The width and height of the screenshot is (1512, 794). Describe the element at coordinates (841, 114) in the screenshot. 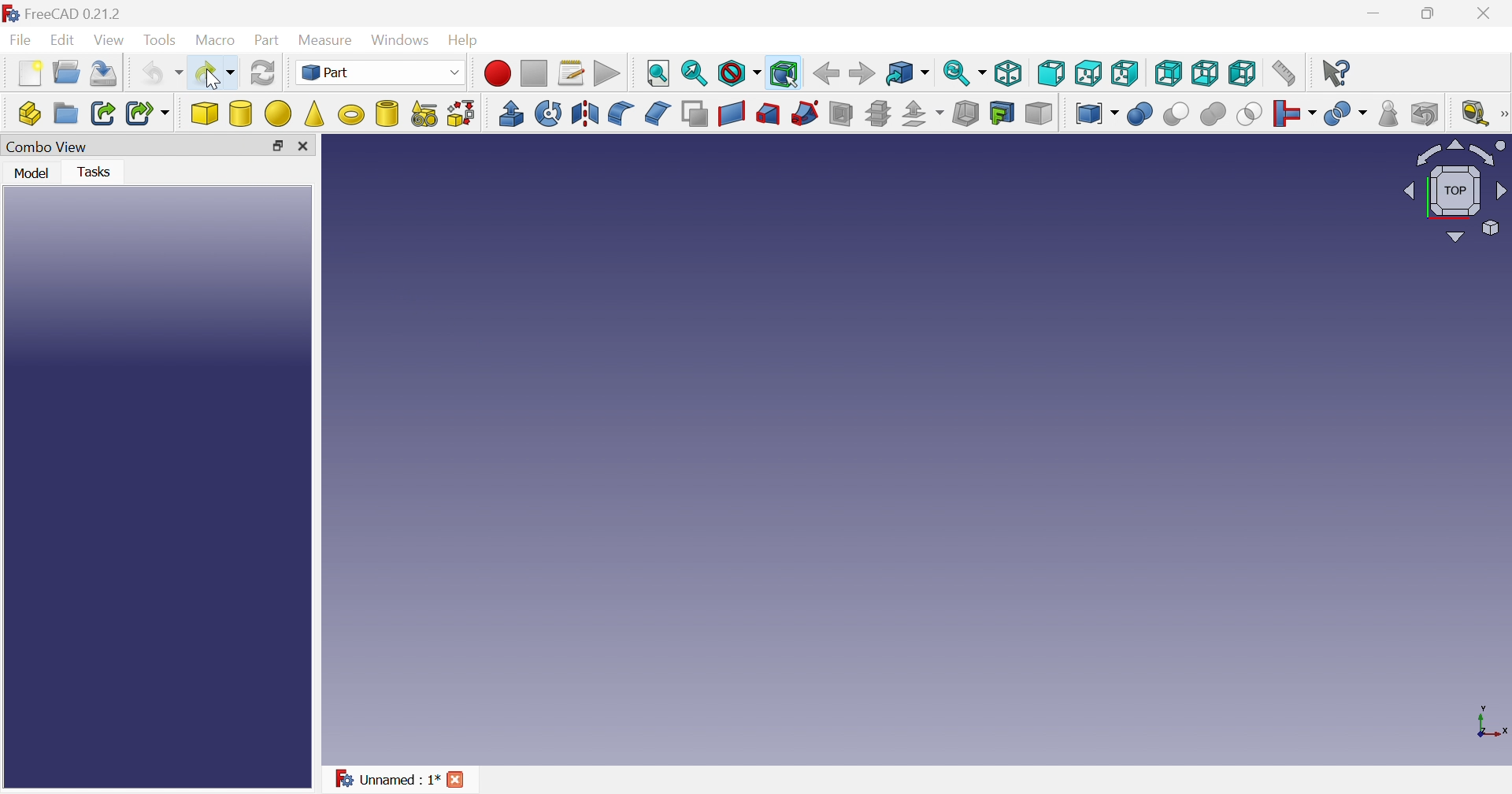

I see `Section` at that location.